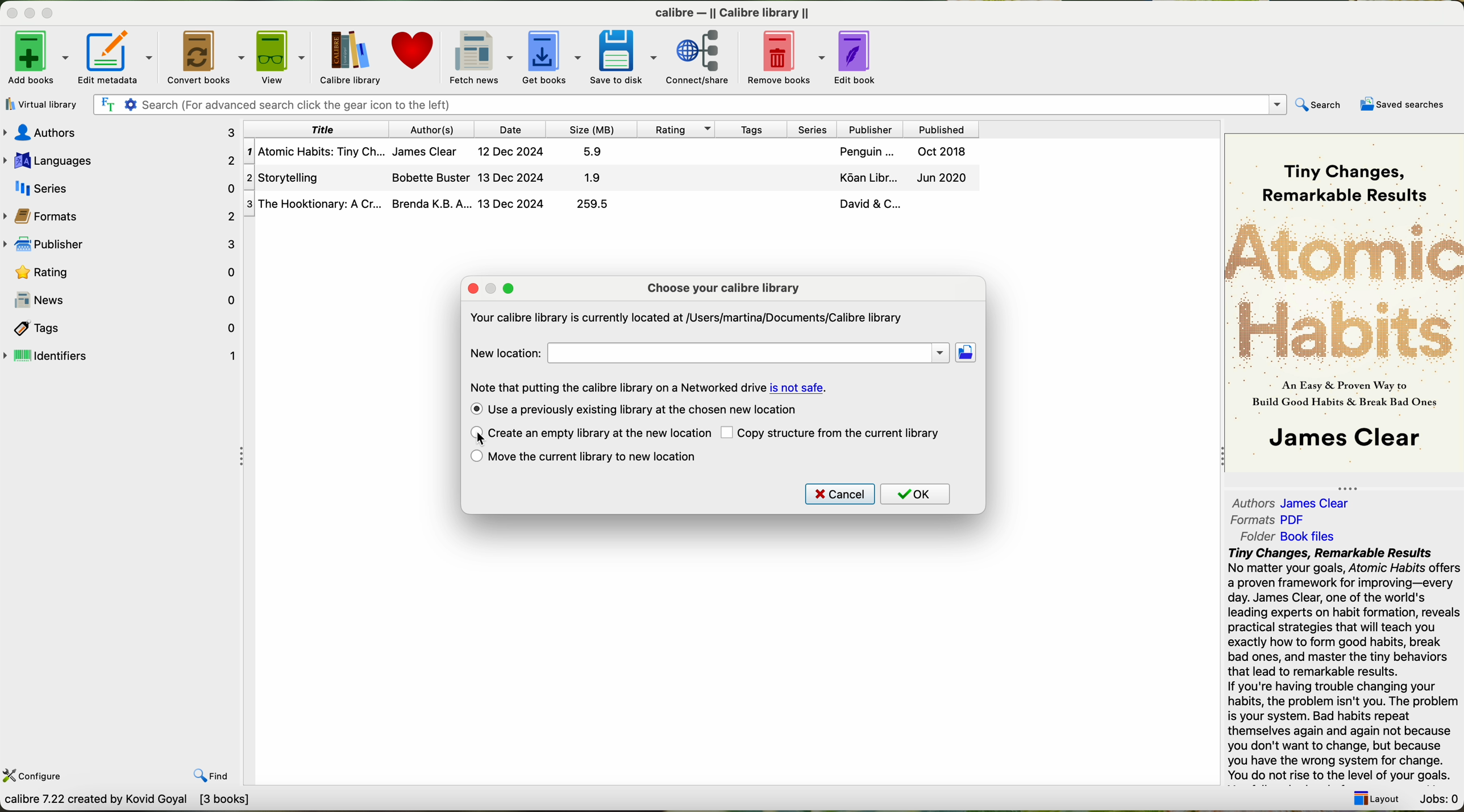 This screenshot has height=812, width=1464. Describe the element at coordinates (735, 12) in the screenshot. I see `calibre — || Calibre library ||` at that location.